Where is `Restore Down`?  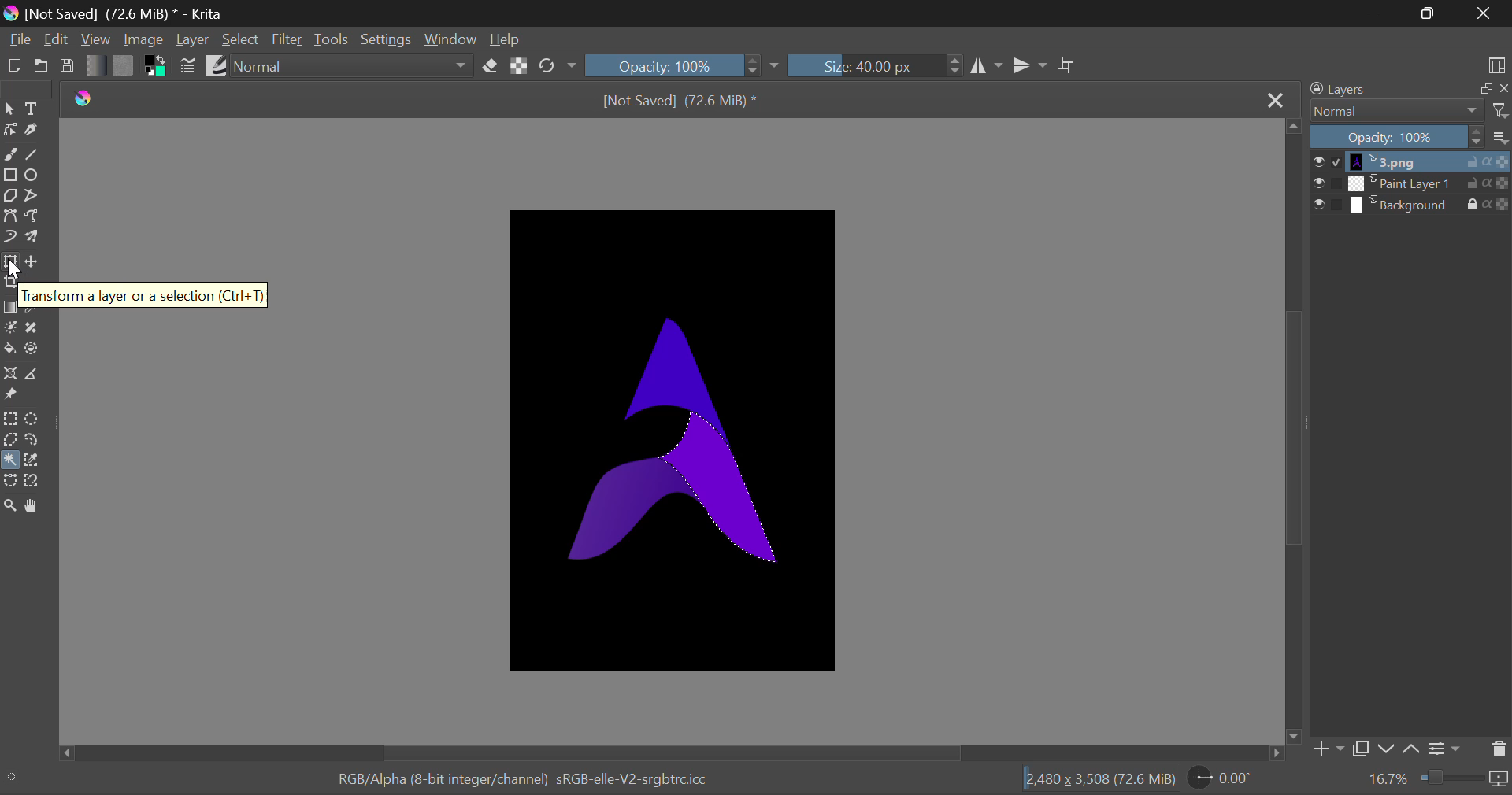 Restore Down is located at coordinates (1376, 14).